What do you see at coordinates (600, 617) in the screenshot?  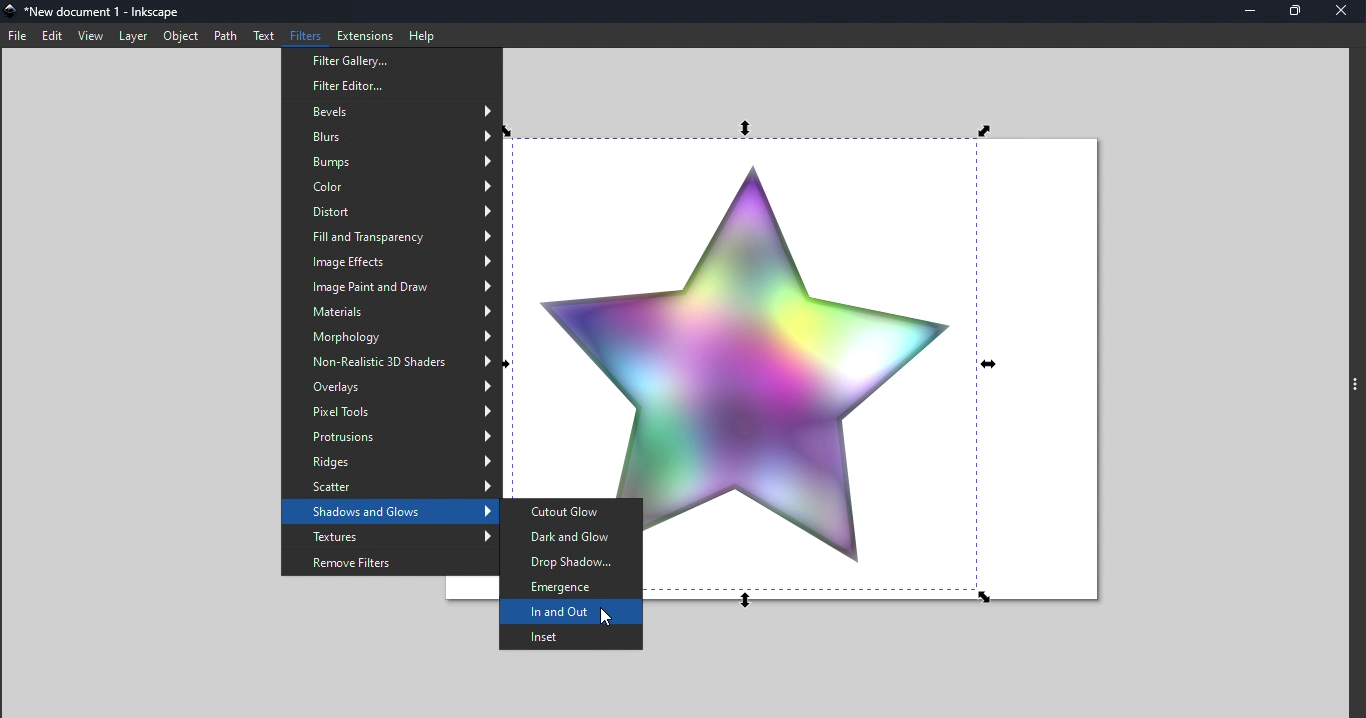 I see `cursor` at bounding box center [600, 617].